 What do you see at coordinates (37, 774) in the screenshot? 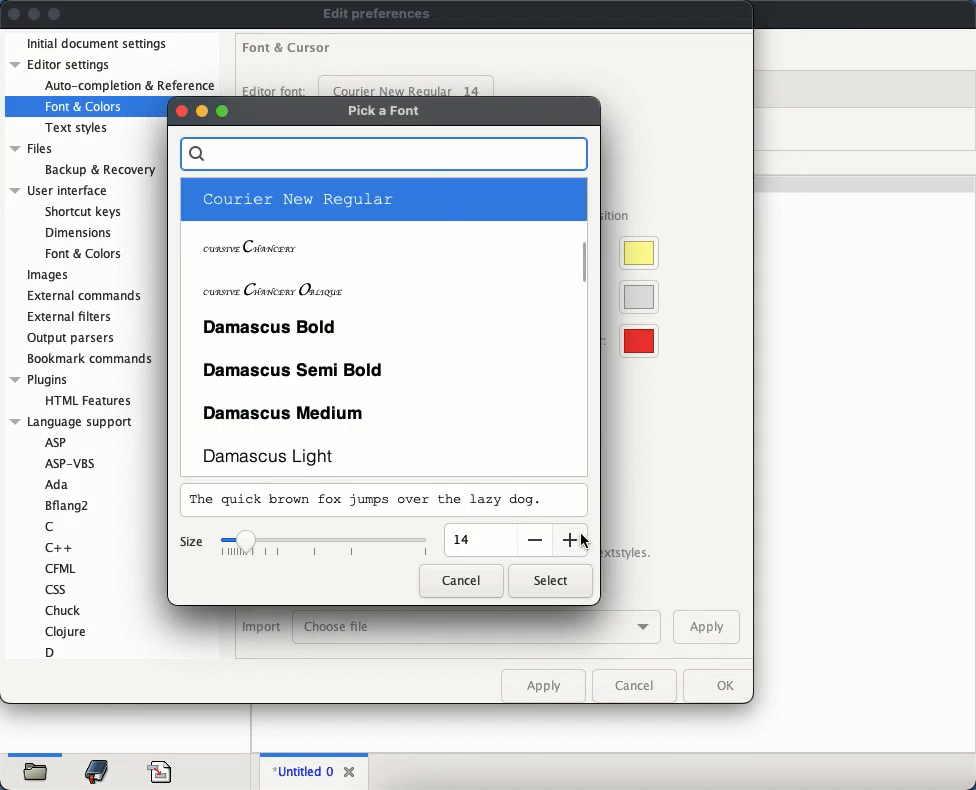
I see `open` at bounding box center [37, 774].